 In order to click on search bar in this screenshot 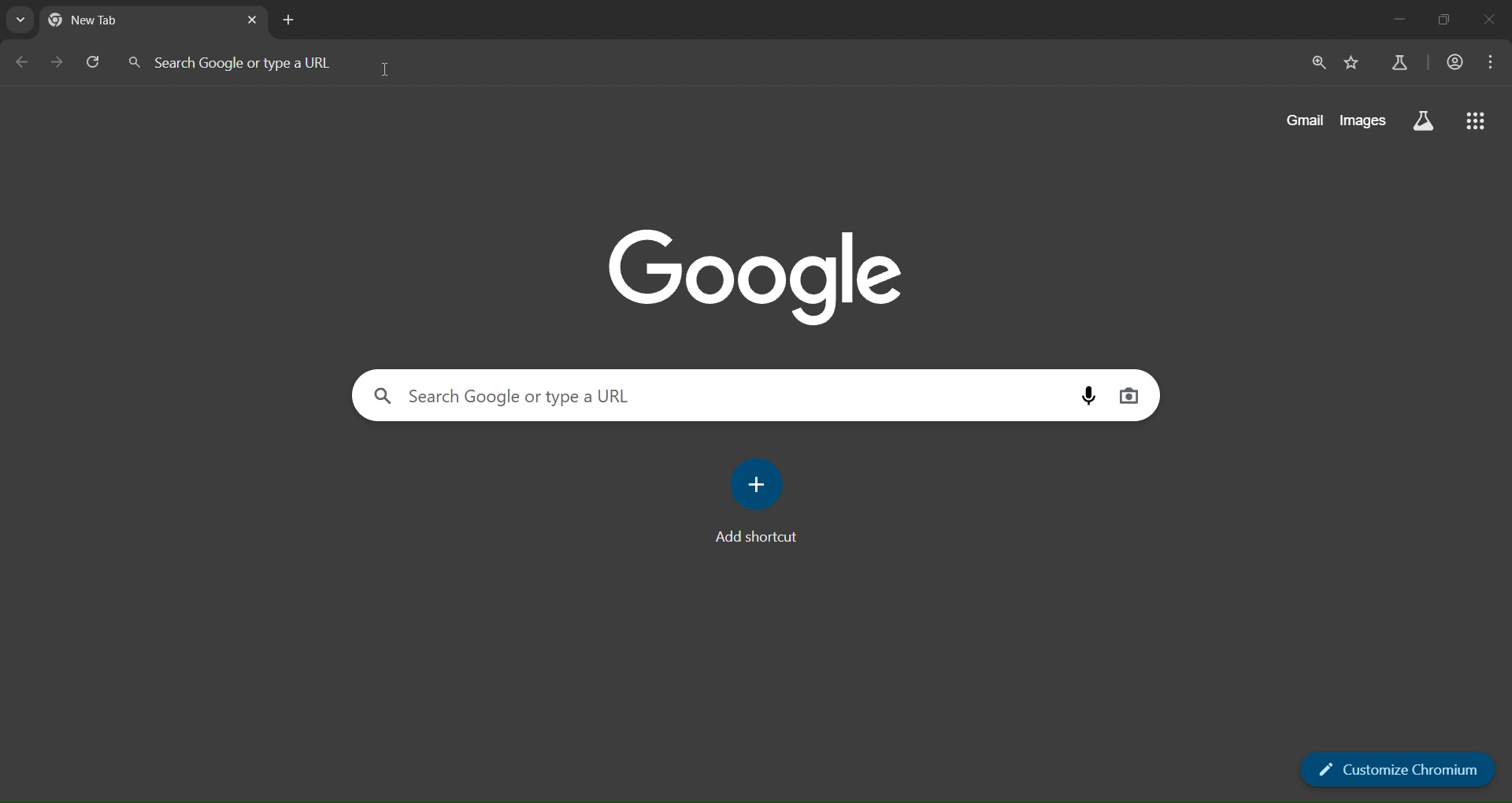, I will do `click(708, 396)`.